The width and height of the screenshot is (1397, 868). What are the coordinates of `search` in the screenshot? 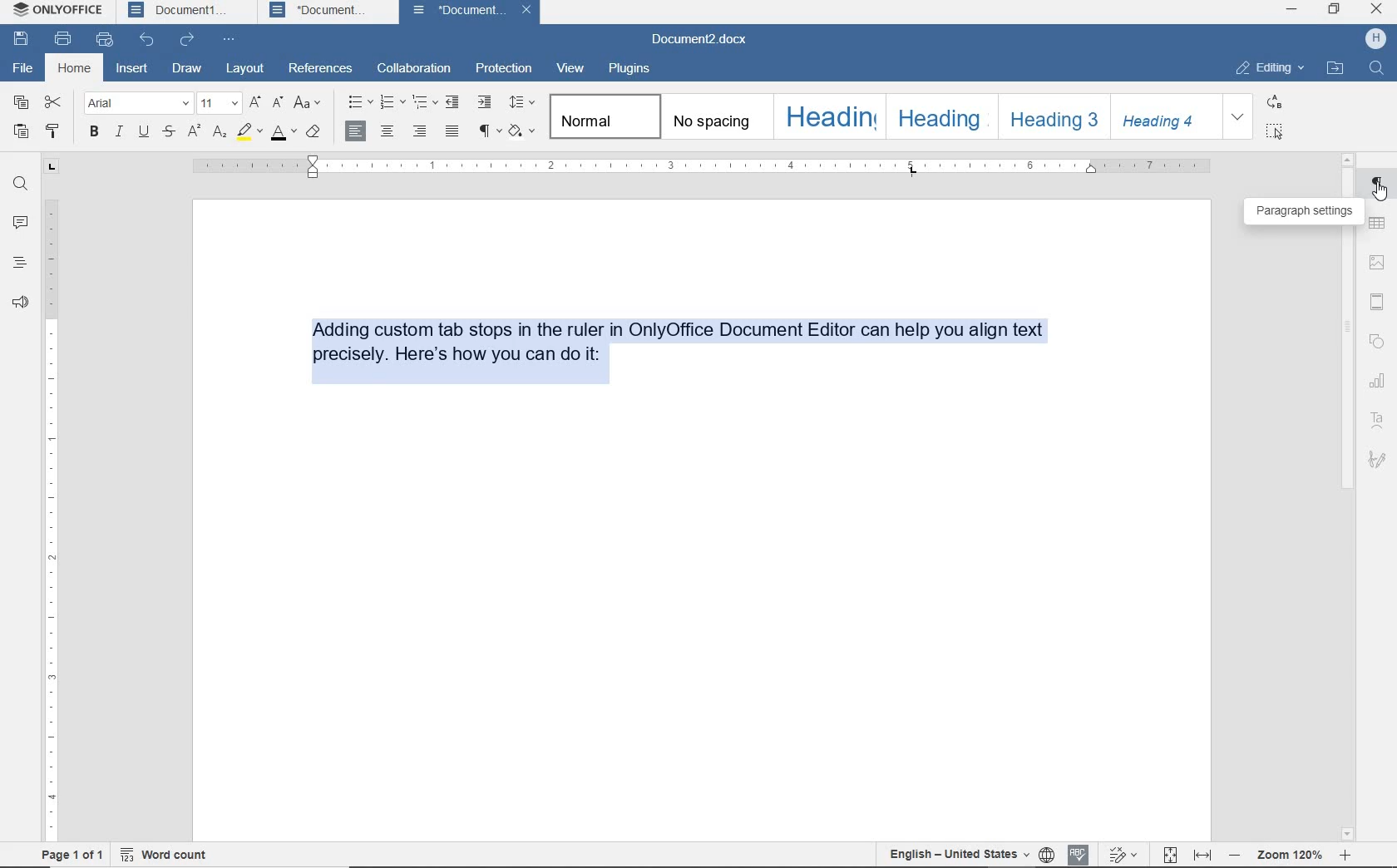 It's located at (1376, 72).